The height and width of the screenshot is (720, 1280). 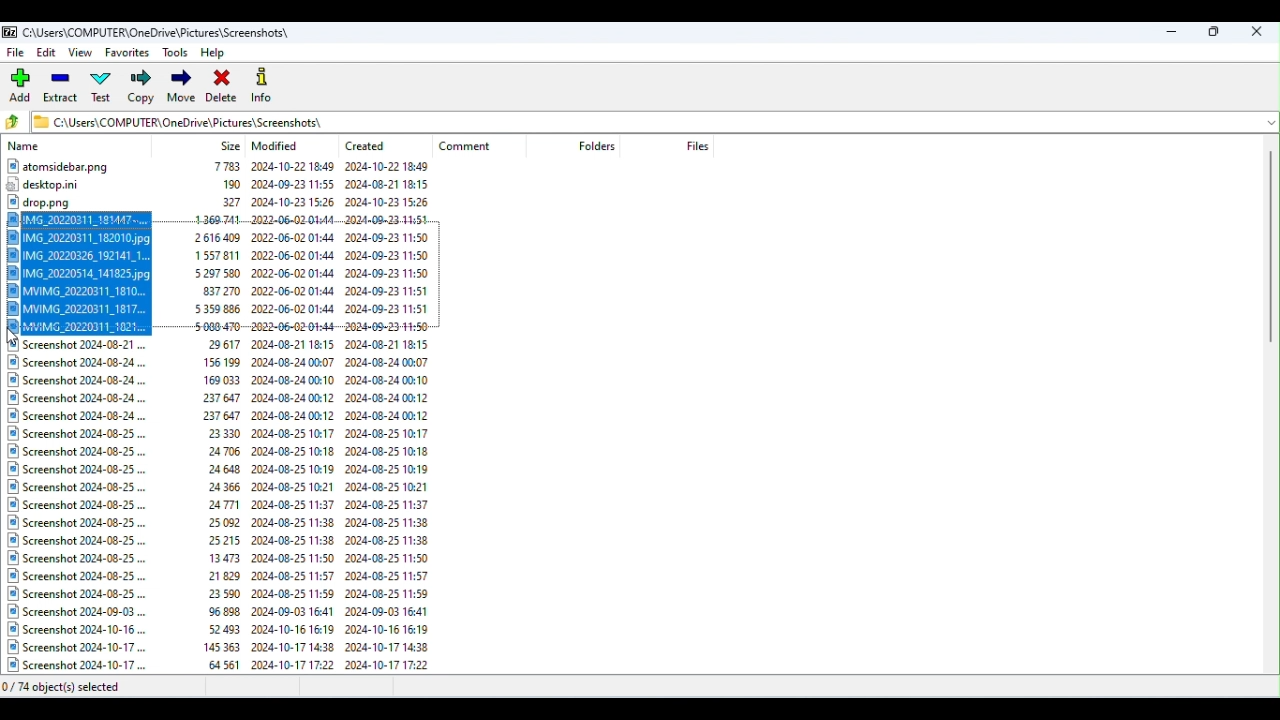 What do you see at coordinates (642, 688) in the screenshot?
I see `Status bar` at bounding box center [642, 688].